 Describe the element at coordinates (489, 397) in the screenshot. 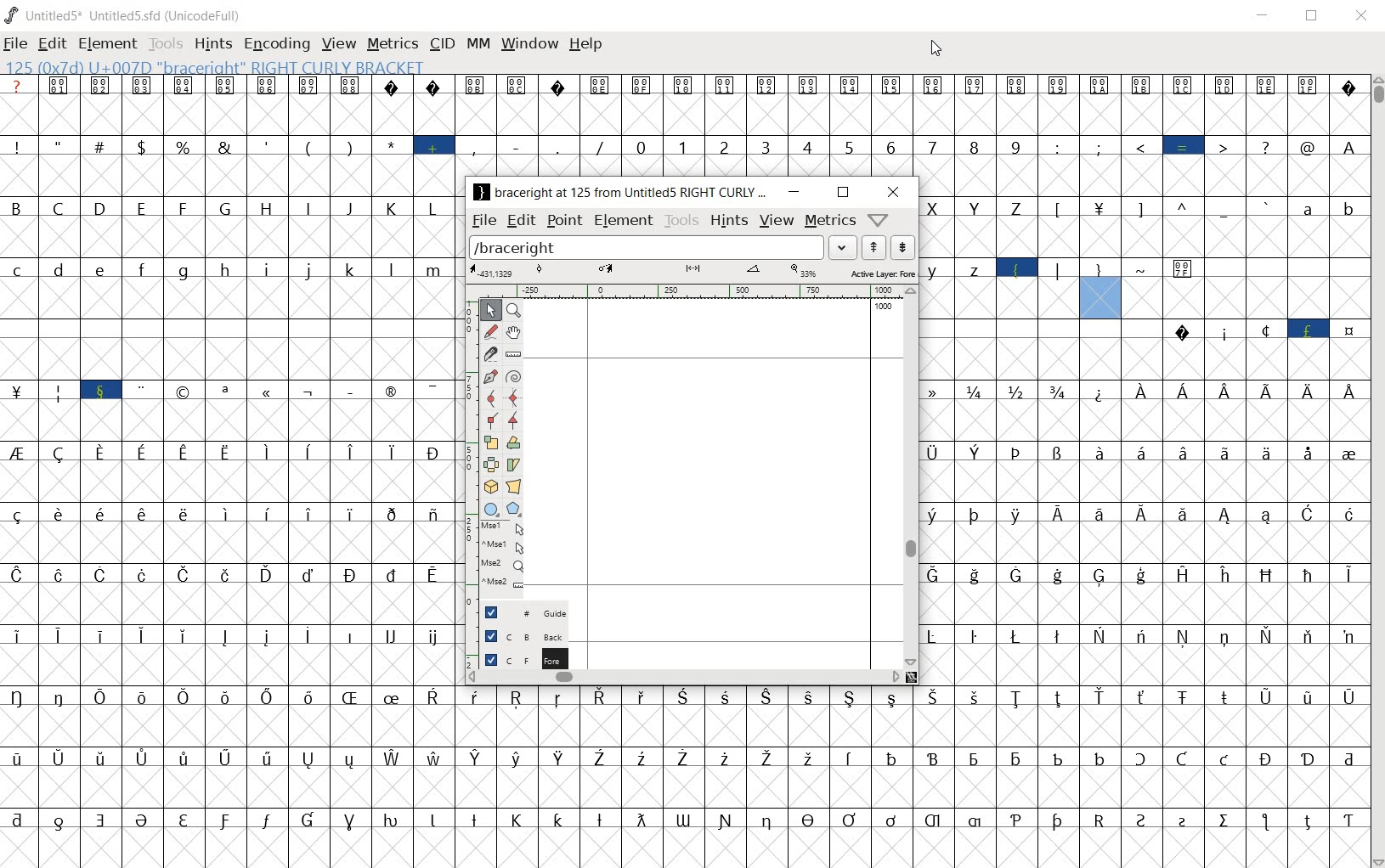

I see `add a curve point always either horizontal or vertical` at that location.